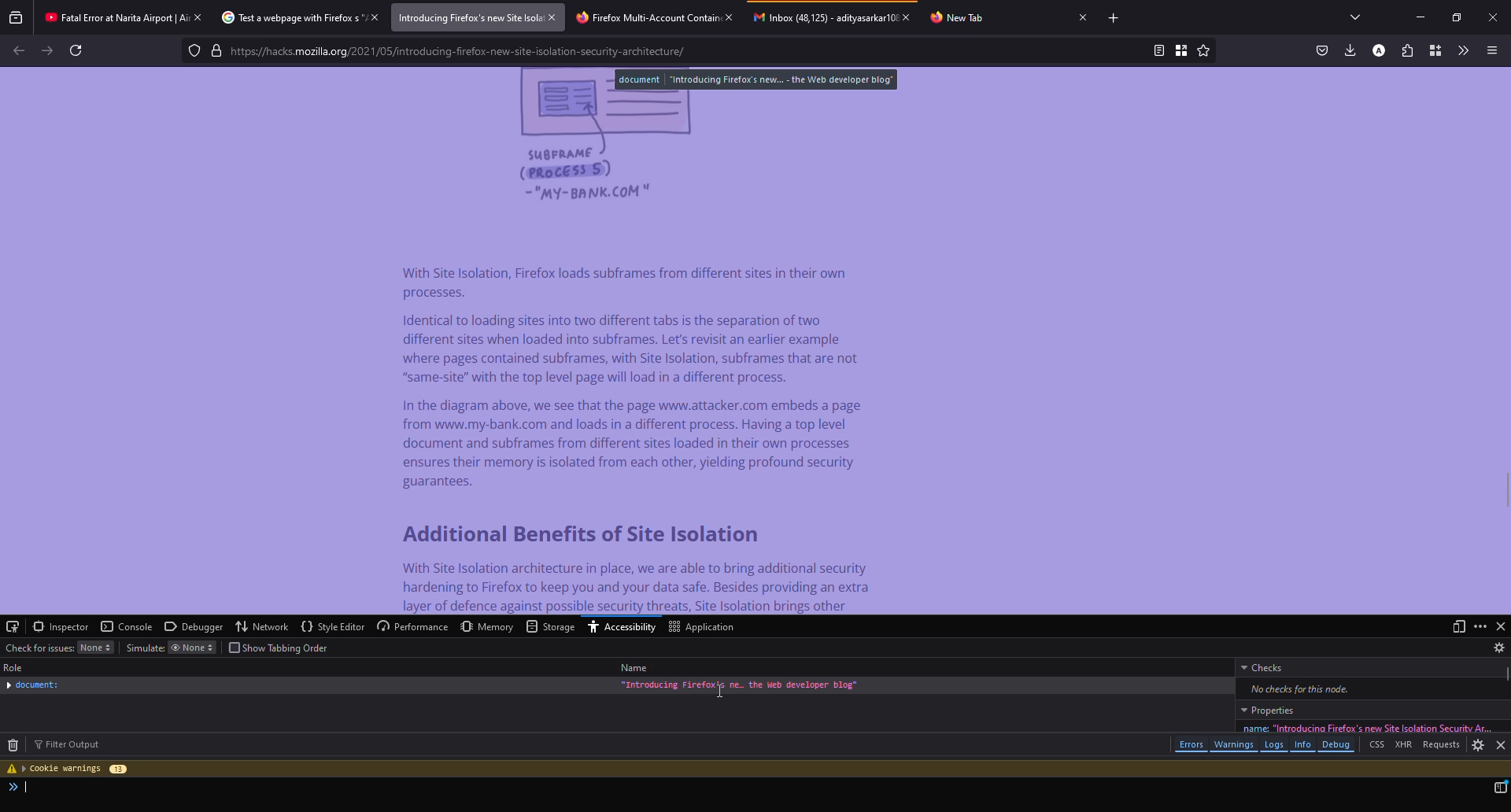  I want to click on application, so click(704, 627).